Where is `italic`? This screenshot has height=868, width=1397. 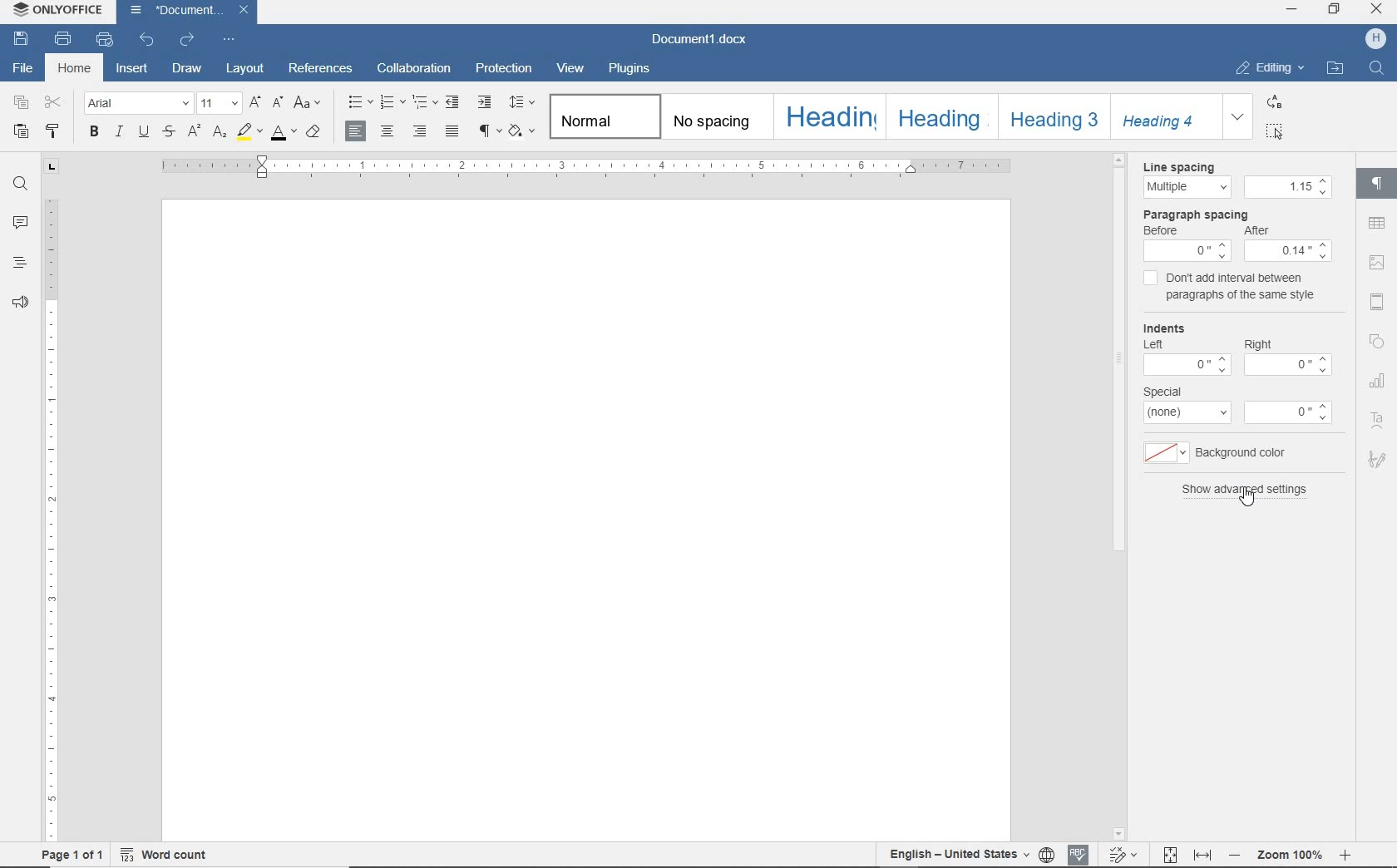
italic is located at coordinates (120, 133).